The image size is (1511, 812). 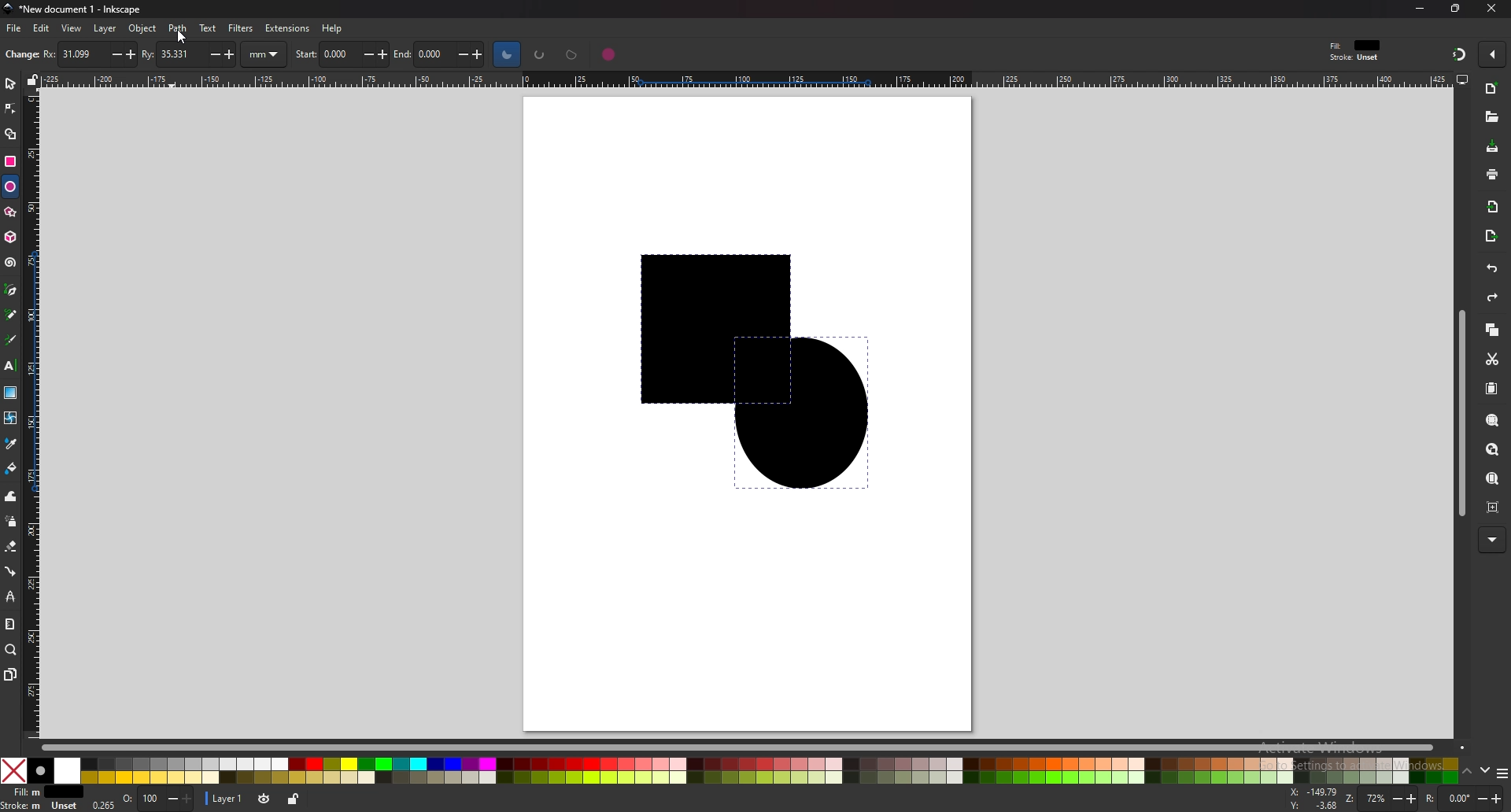 I want to click on vertical radius, so click(x=190, y=53).